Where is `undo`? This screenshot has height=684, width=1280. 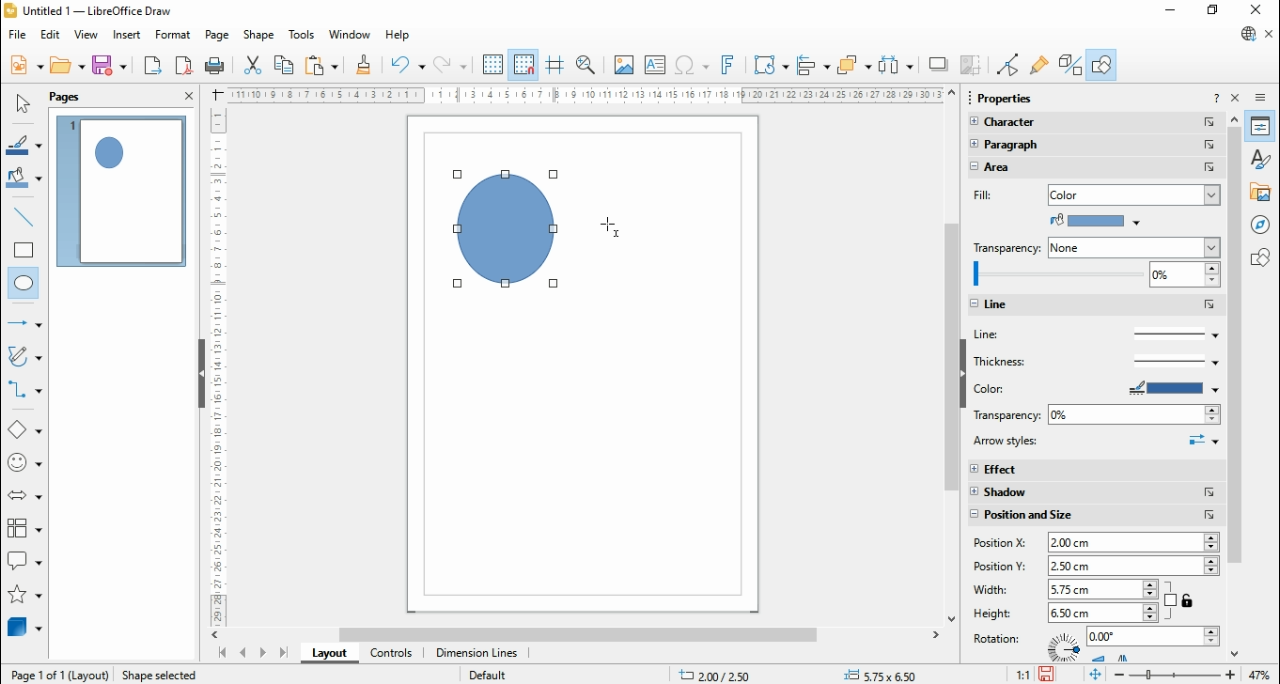
undo is located at coordinates (408, 65).